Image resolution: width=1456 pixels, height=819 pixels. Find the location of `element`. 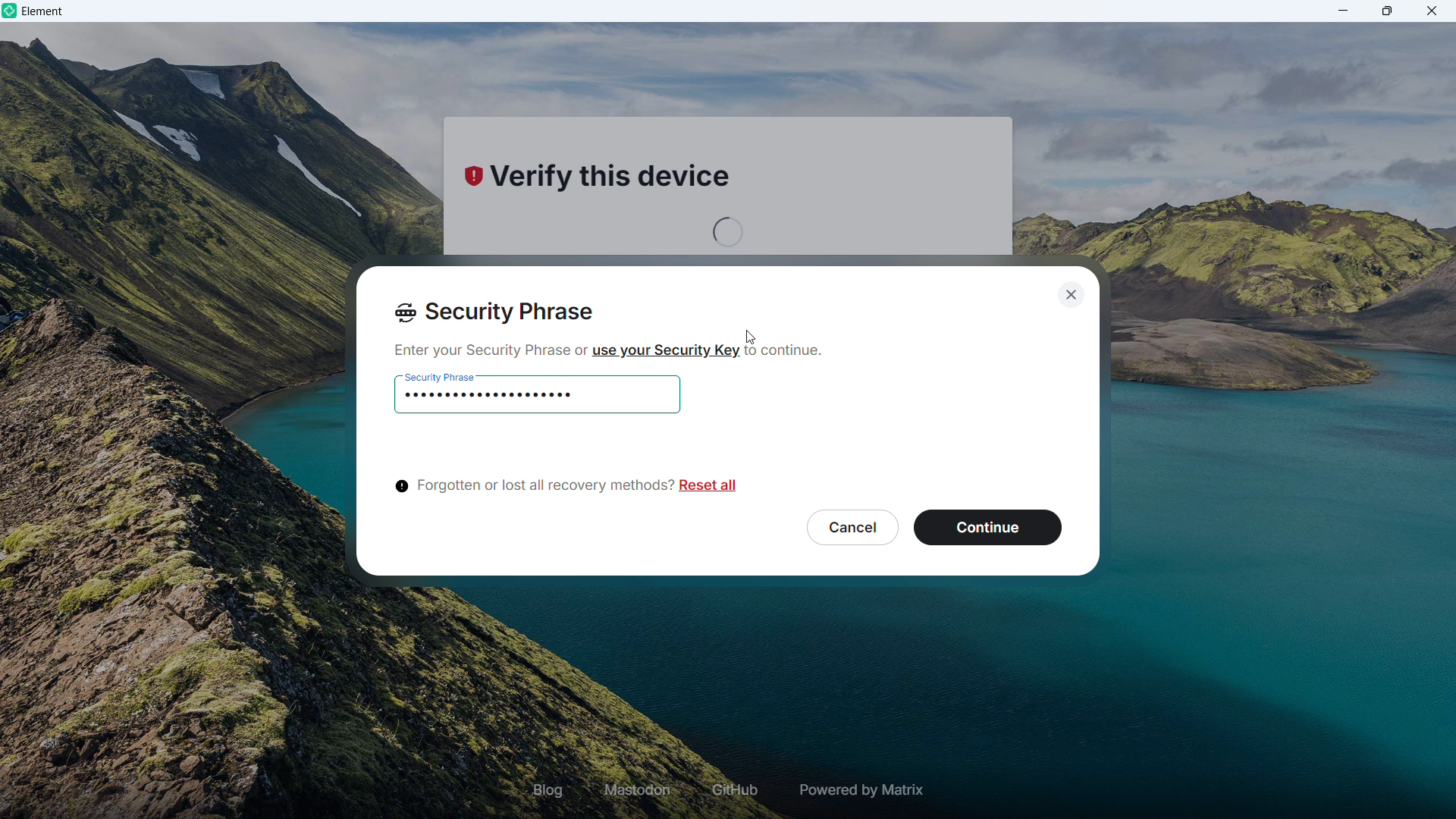

element is located at coordinates (43, 13).